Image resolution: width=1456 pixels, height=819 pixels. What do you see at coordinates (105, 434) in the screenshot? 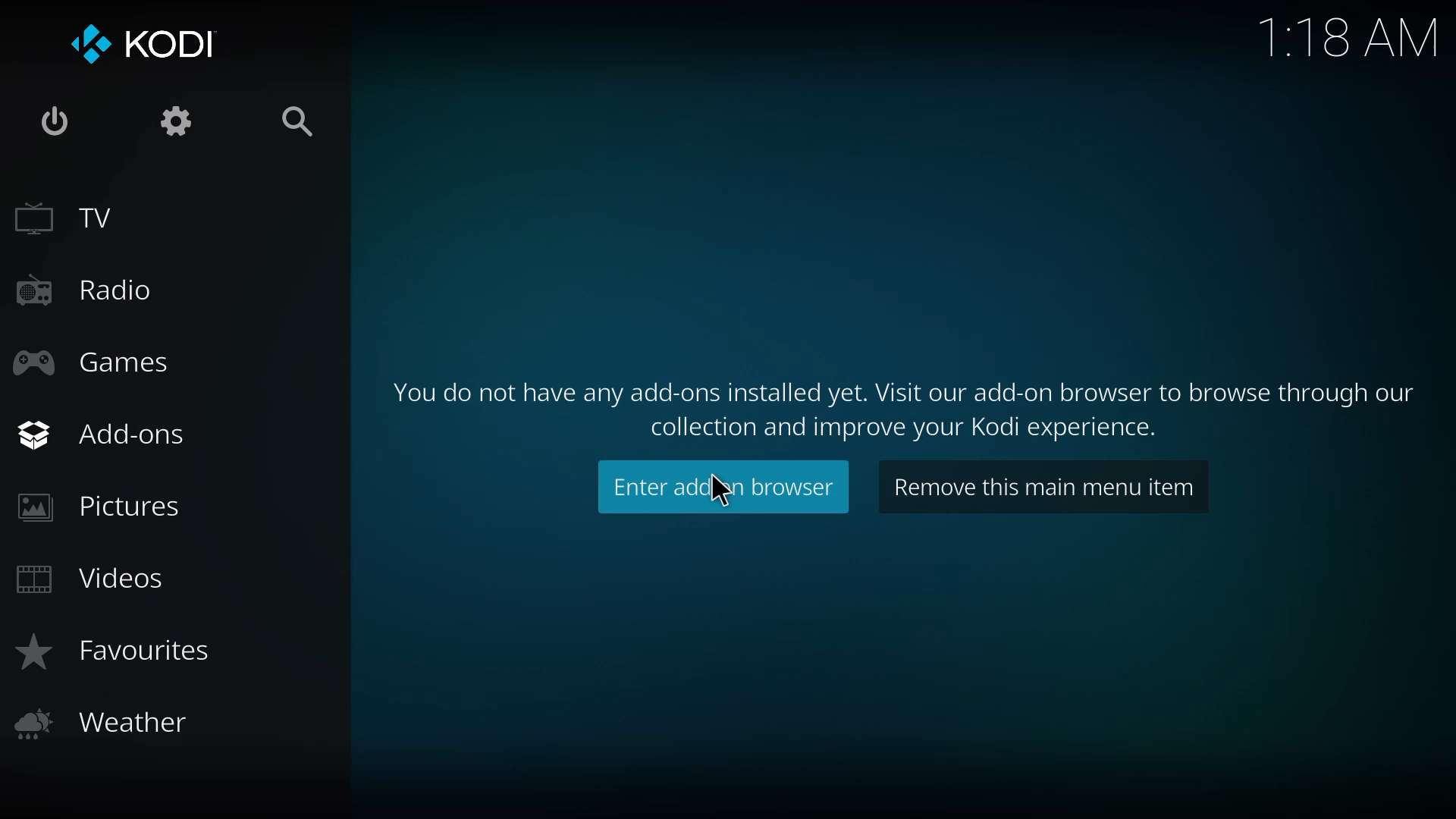
I see `add-ons` at bounding box center [105, 434].